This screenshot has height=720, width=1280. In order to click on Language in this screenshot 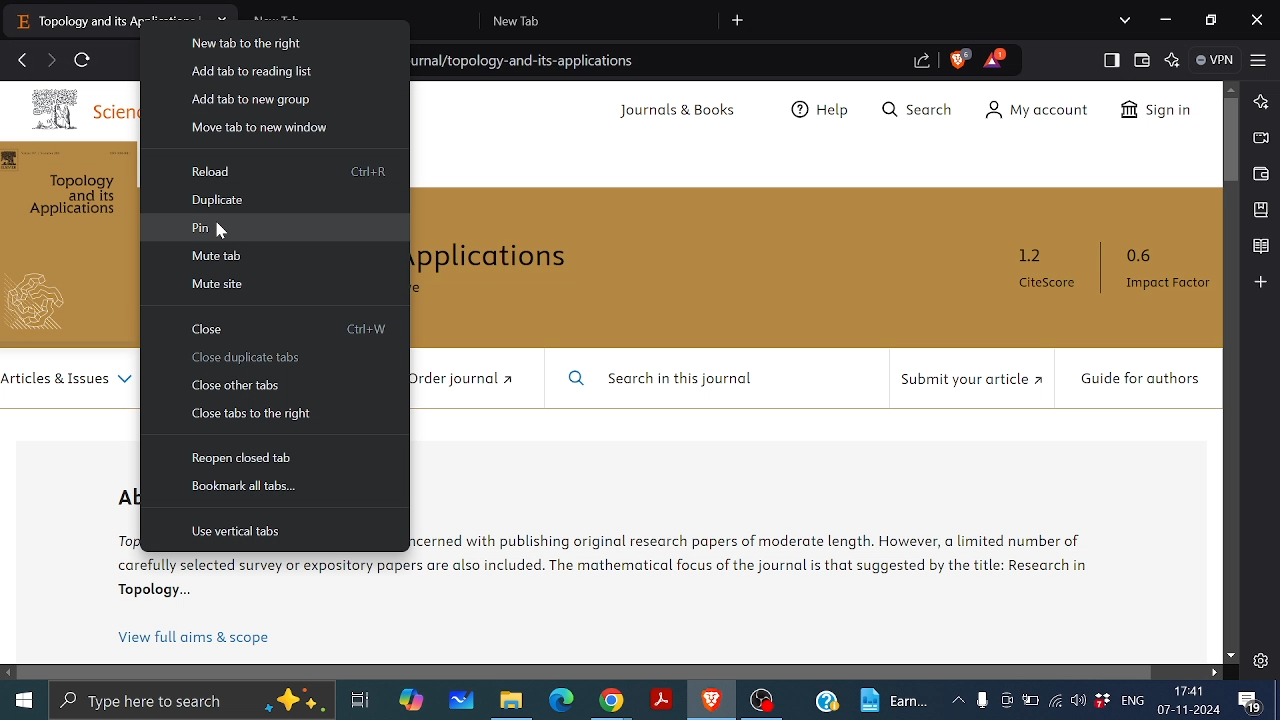, I will do `click(1132, 701)`.